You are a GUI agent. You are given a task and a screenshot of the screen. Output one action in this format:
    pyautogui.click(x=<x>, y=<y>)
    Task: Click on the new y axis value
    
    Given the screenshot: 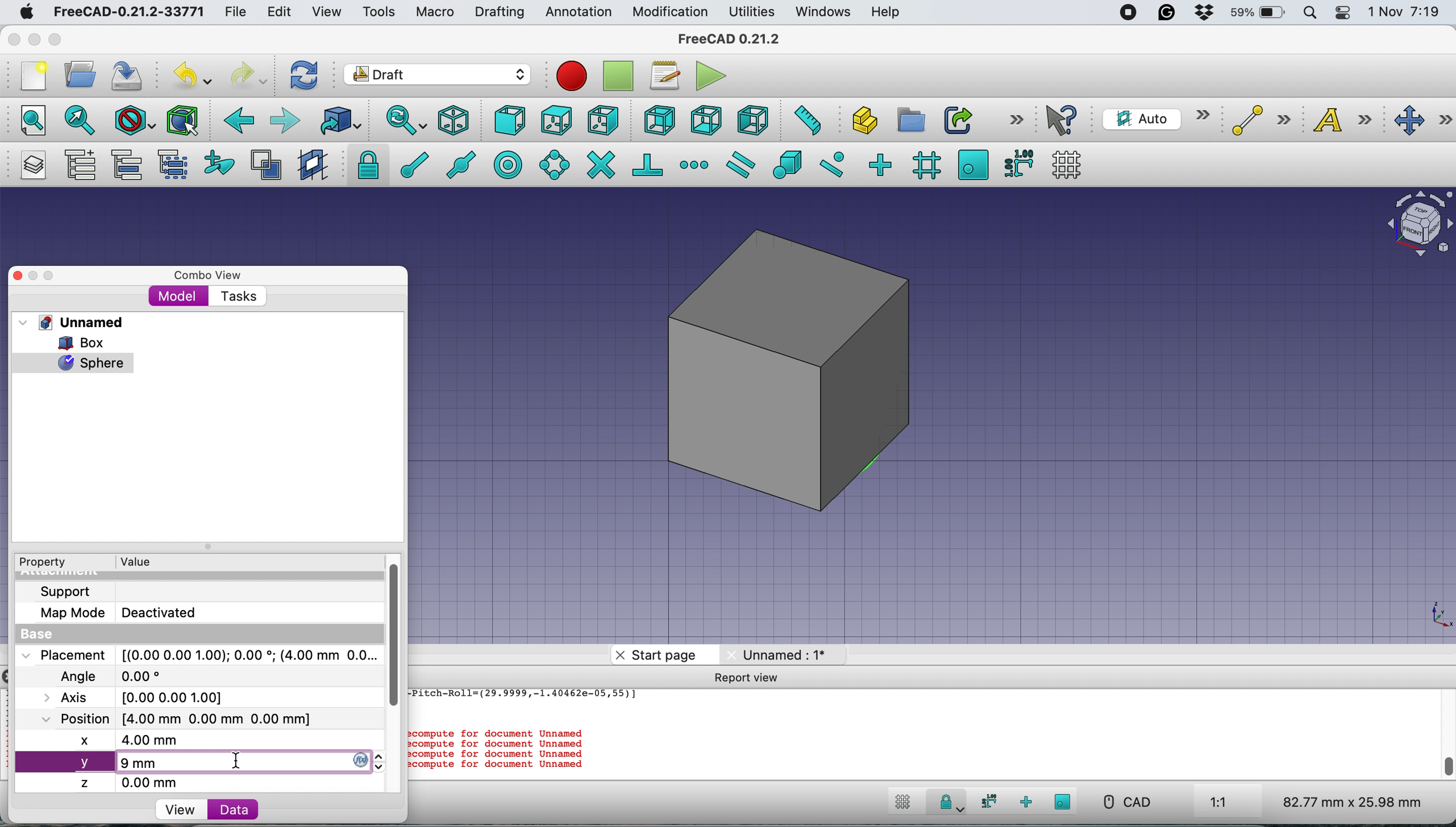 What is the action you would take?
    pyautogui.click(x=104, y=762)
    